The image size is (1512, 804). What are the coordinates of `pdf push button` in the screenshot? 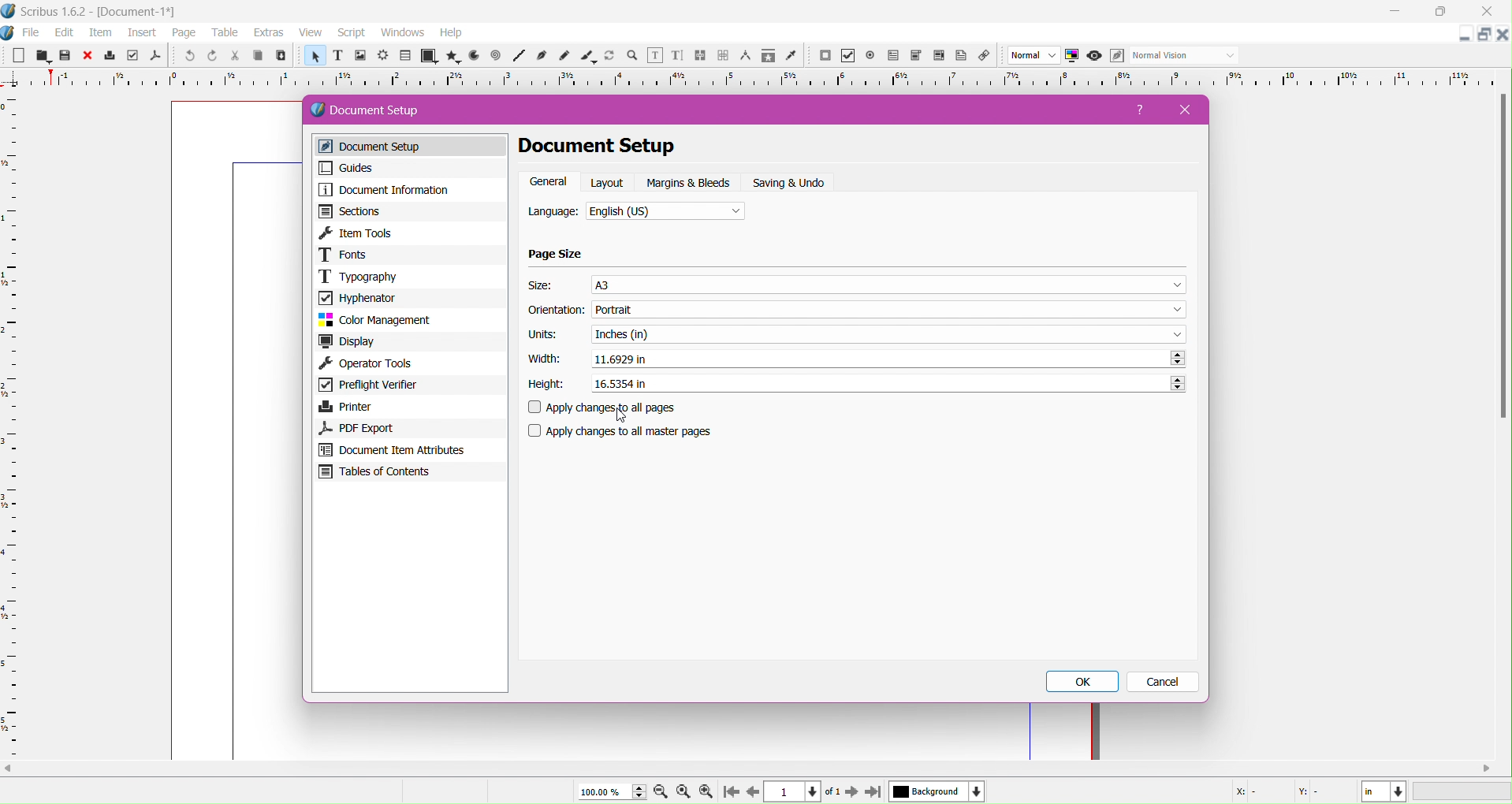 It's located at (825, 56).